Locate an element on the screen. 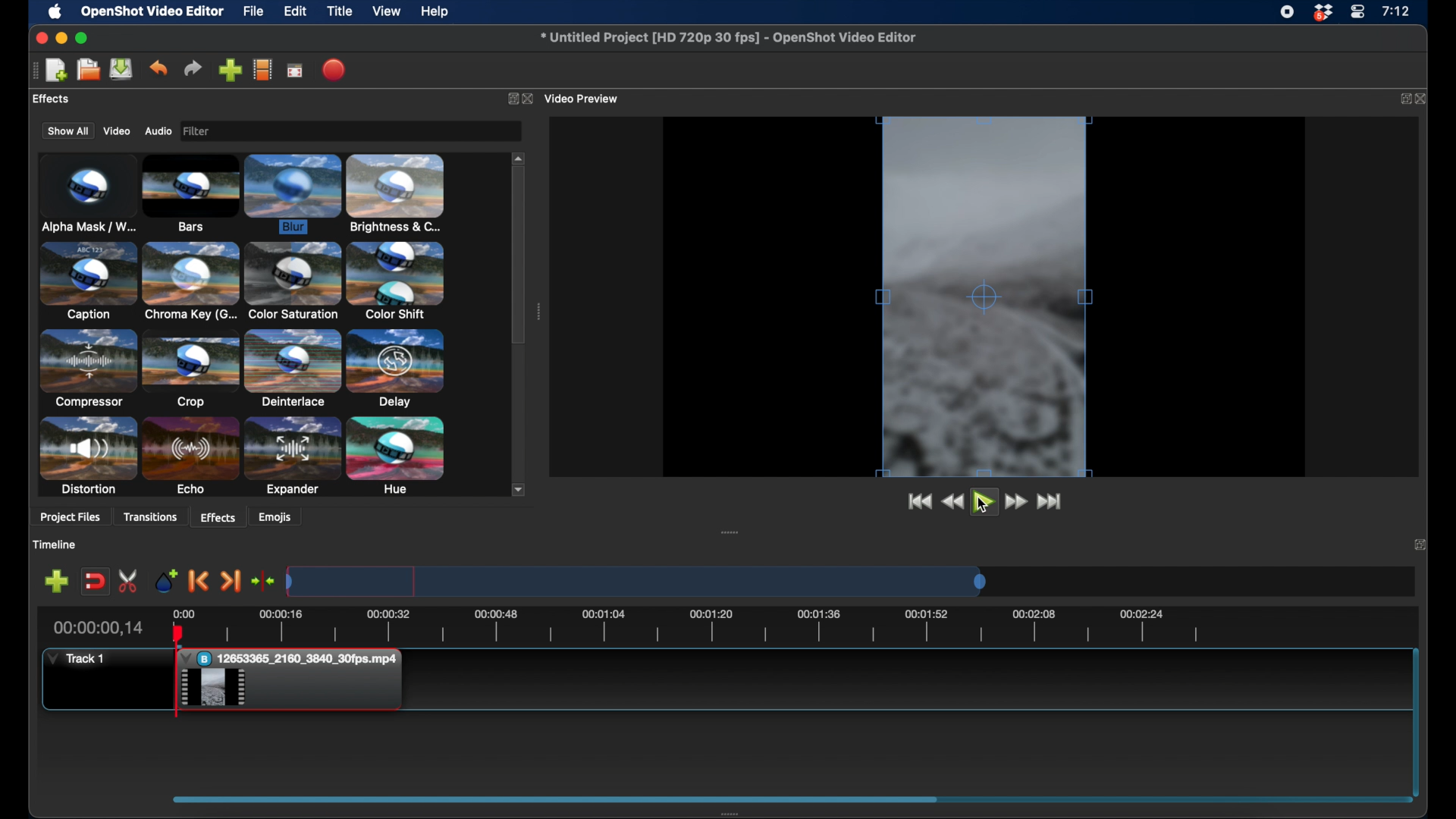 The height and width of the screenshot is (819, 1456). project files is located at coordinates (71, 519).